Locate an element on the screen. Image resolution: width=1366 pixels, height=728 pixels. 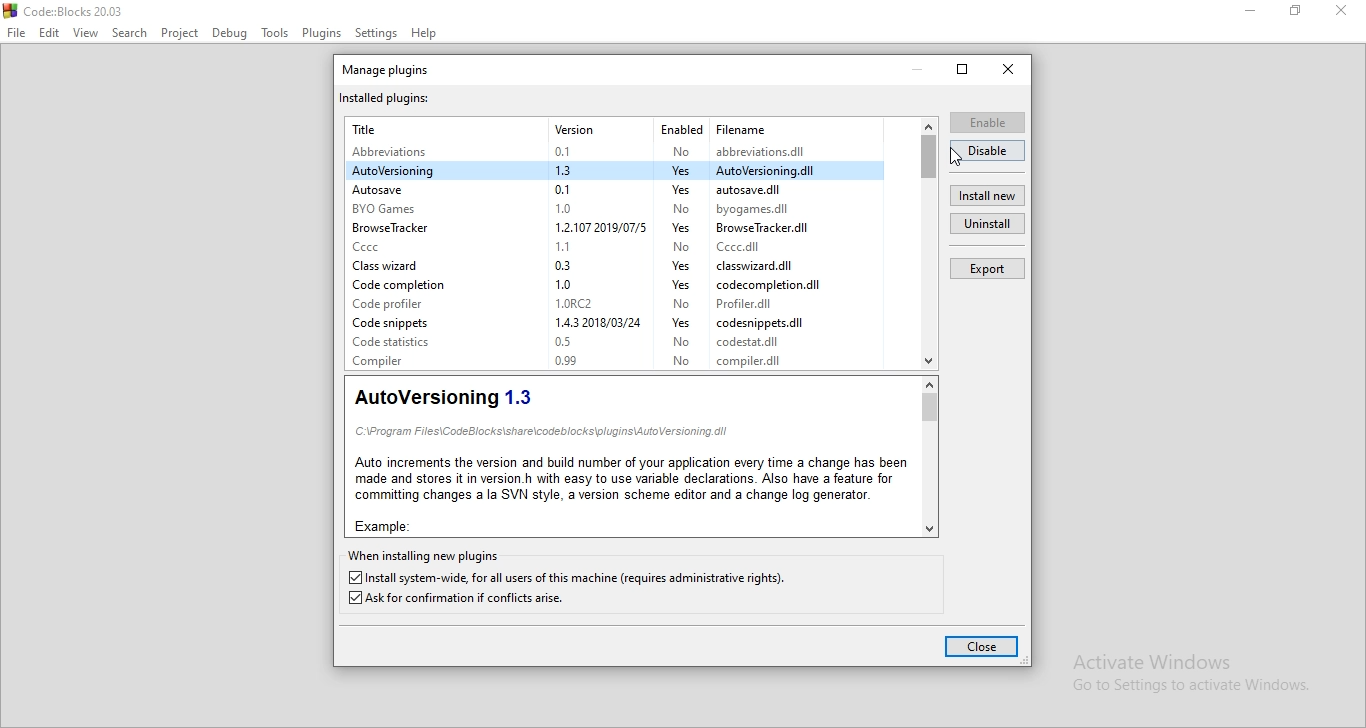
install new is located at coordinates (987, 195).